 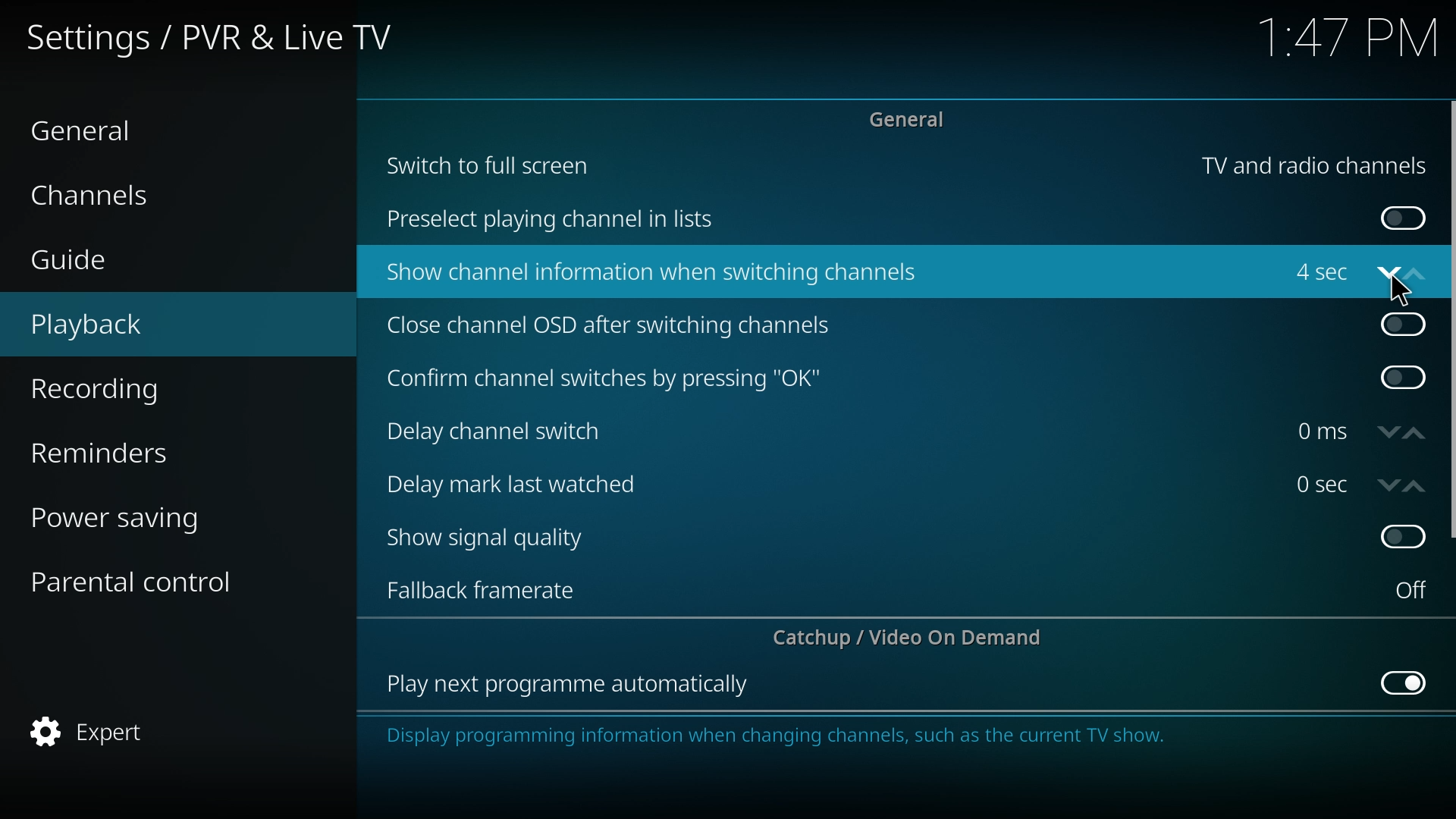 What do you see at coordinates (1351, 40) in the screenshot?
I see `time` at bounding box center [1351, 40].